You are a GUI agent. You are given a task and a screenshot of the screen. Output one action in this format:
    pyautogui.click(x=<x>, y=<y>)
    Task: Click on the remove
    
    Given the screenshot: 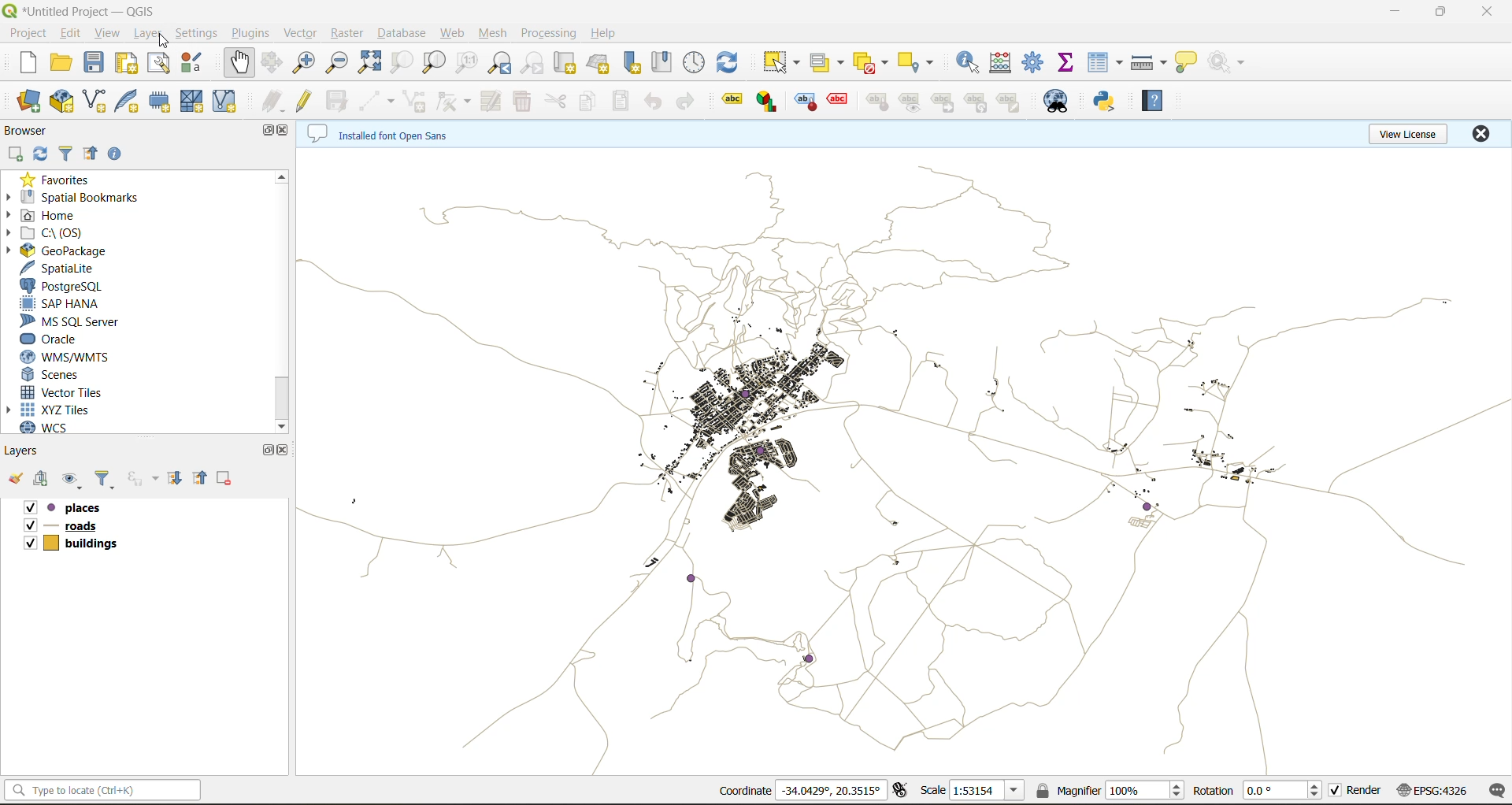 What is the action you would take?
    pyautogui.click(x=225, y=480)
    